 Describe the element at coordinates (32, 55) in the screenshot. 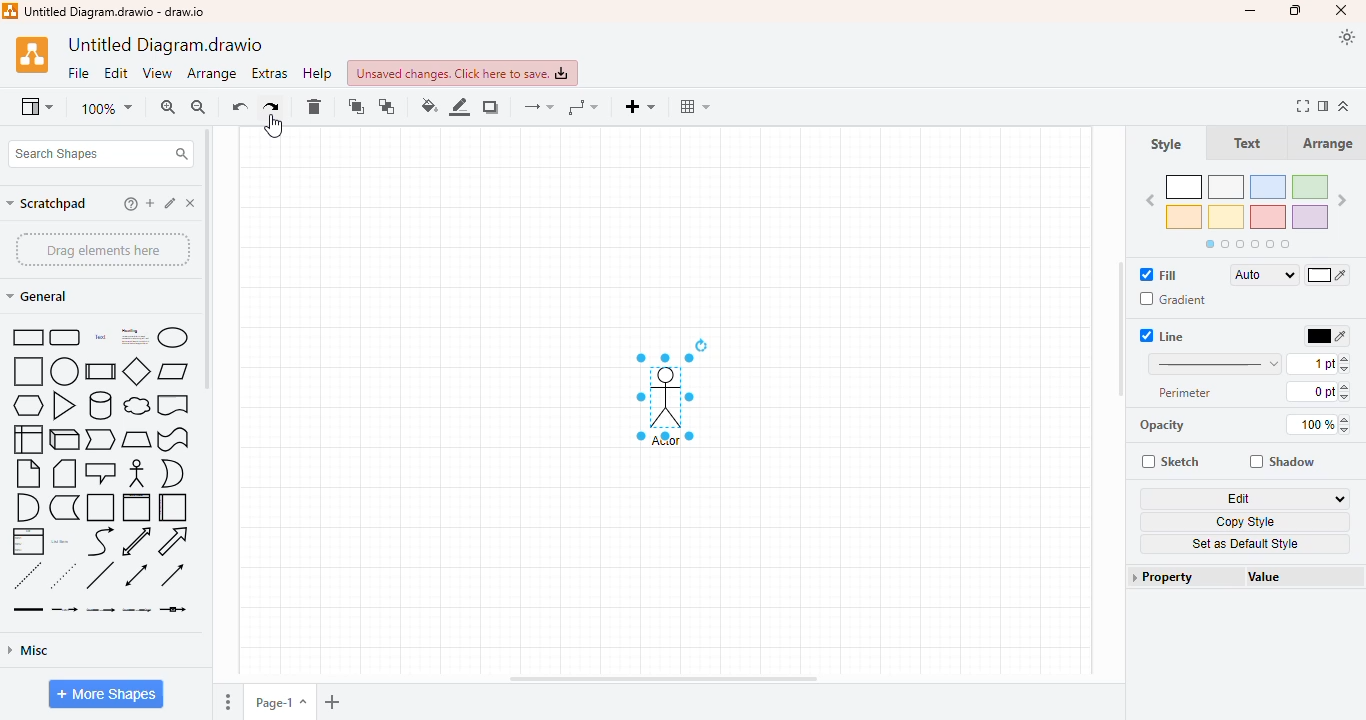

I see `logo` at that location.